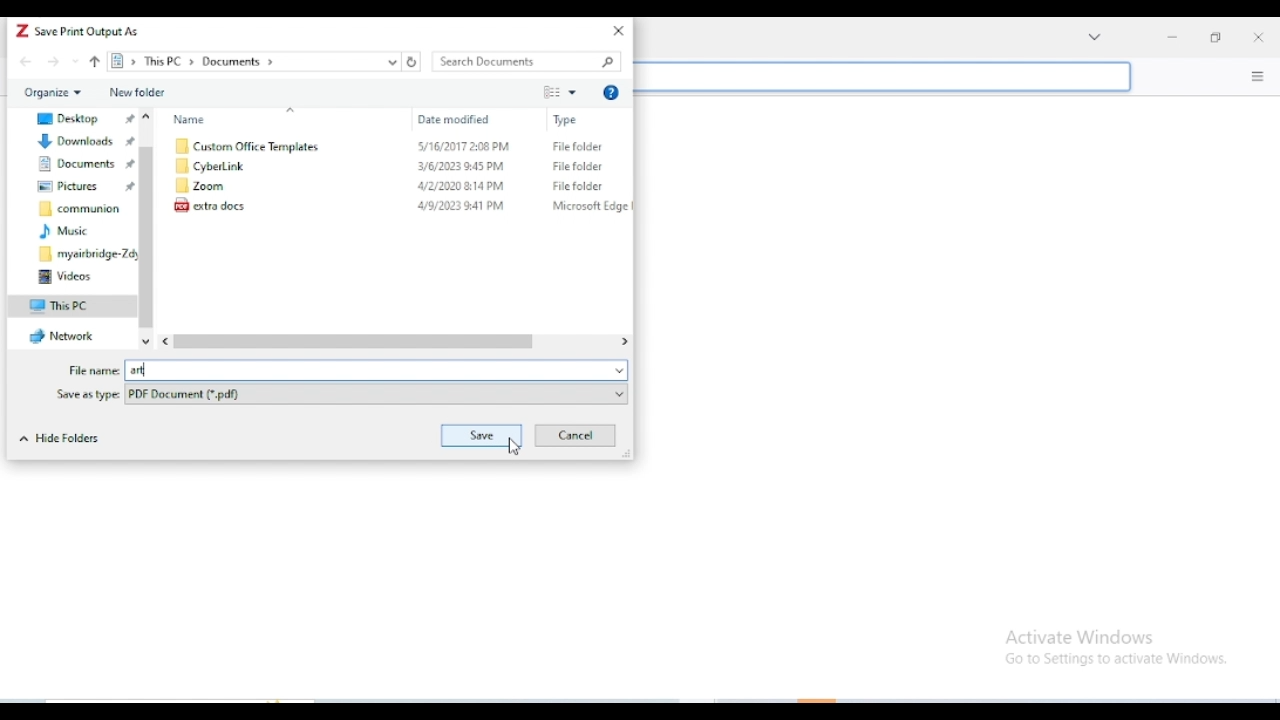 The image size is (1280, 720). What do you see at coordinates (570, 120) in the screenshot?
I see `Type` at bounding box center [570, 120].